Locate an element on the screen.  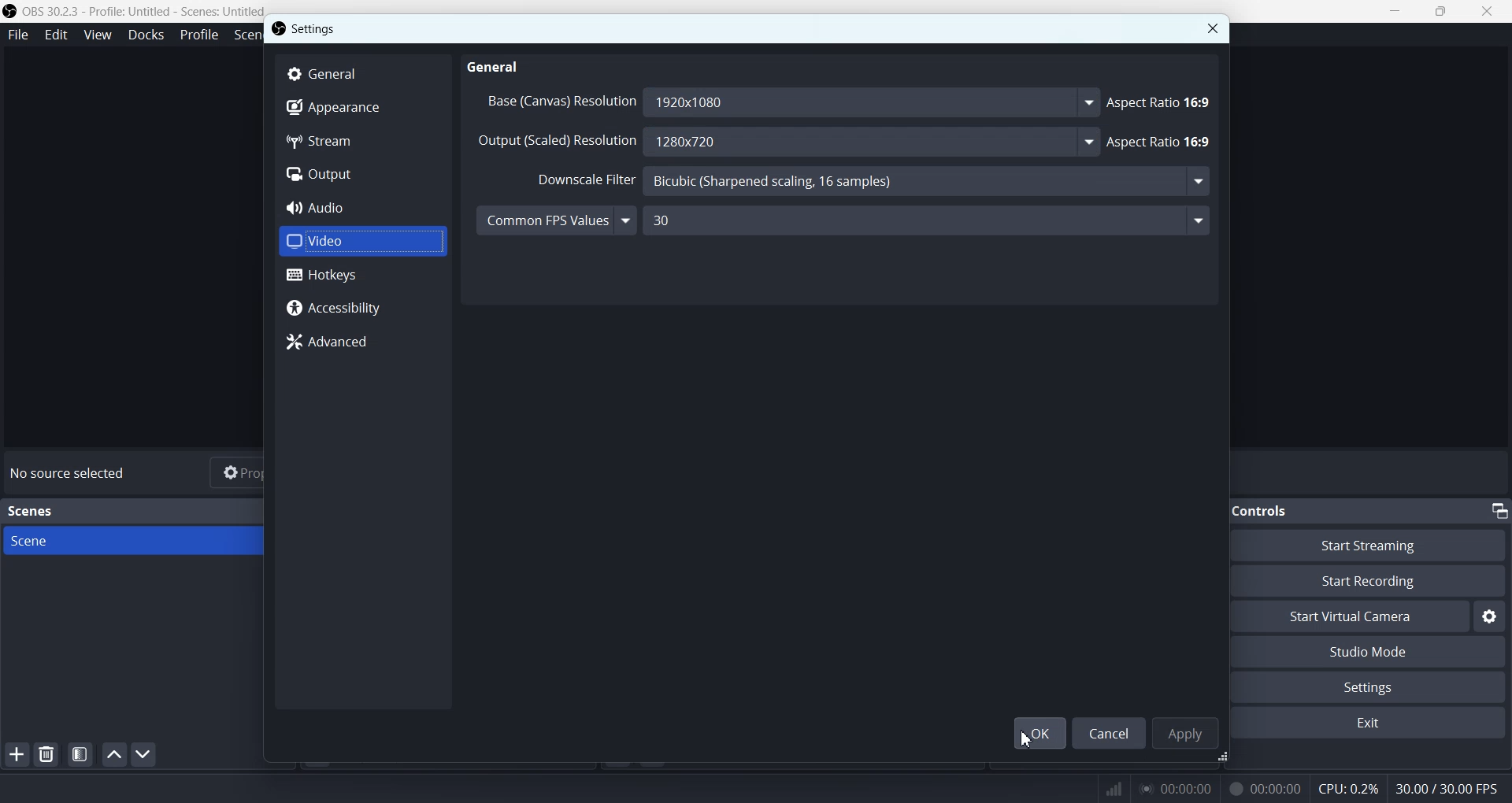
Aspect Ratio 16:9 is located at coordinates (1162, 101).